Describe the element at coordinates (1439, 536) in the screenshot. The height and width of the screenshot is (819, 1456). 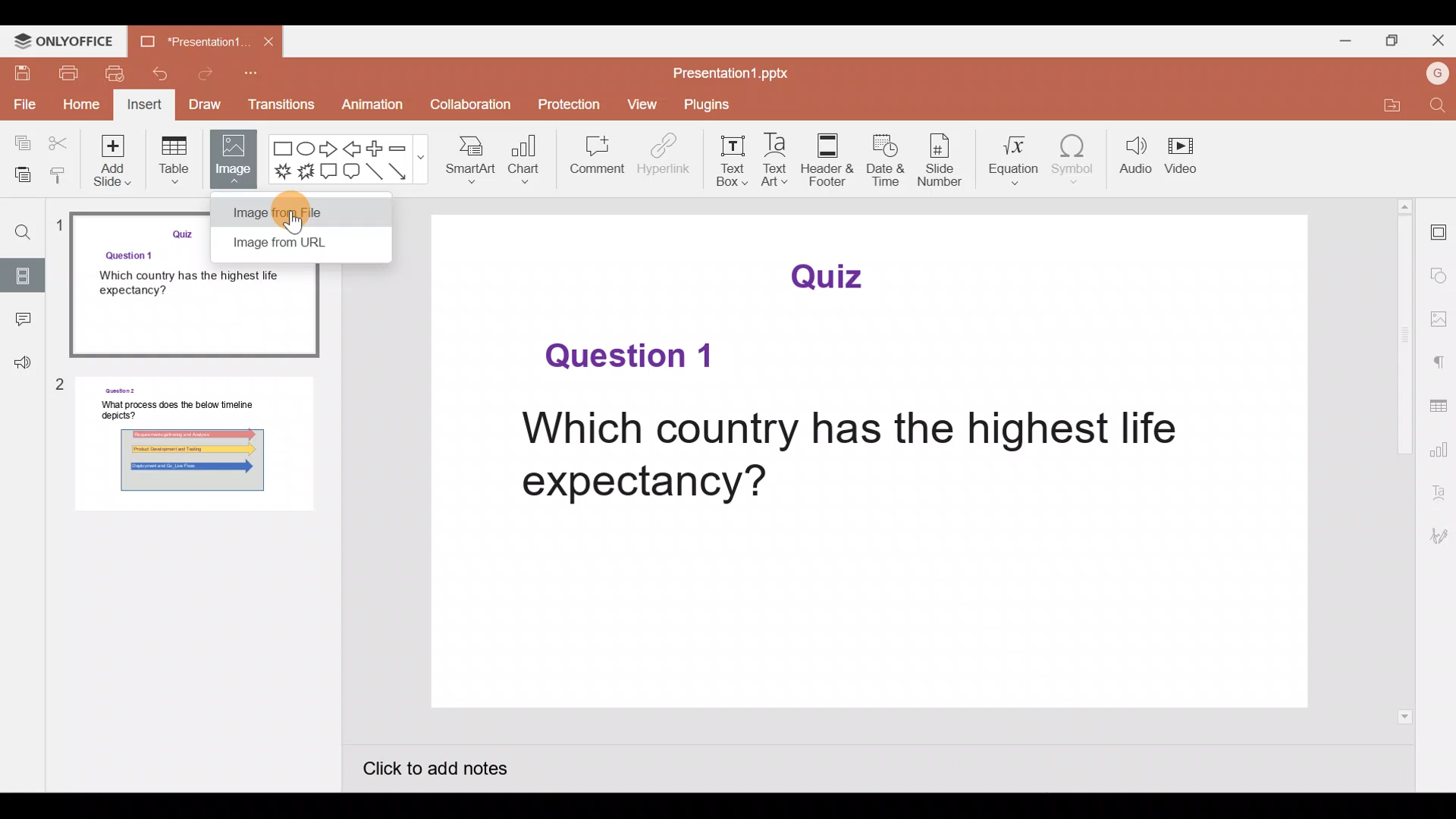
I see `Signature settings` at that location.